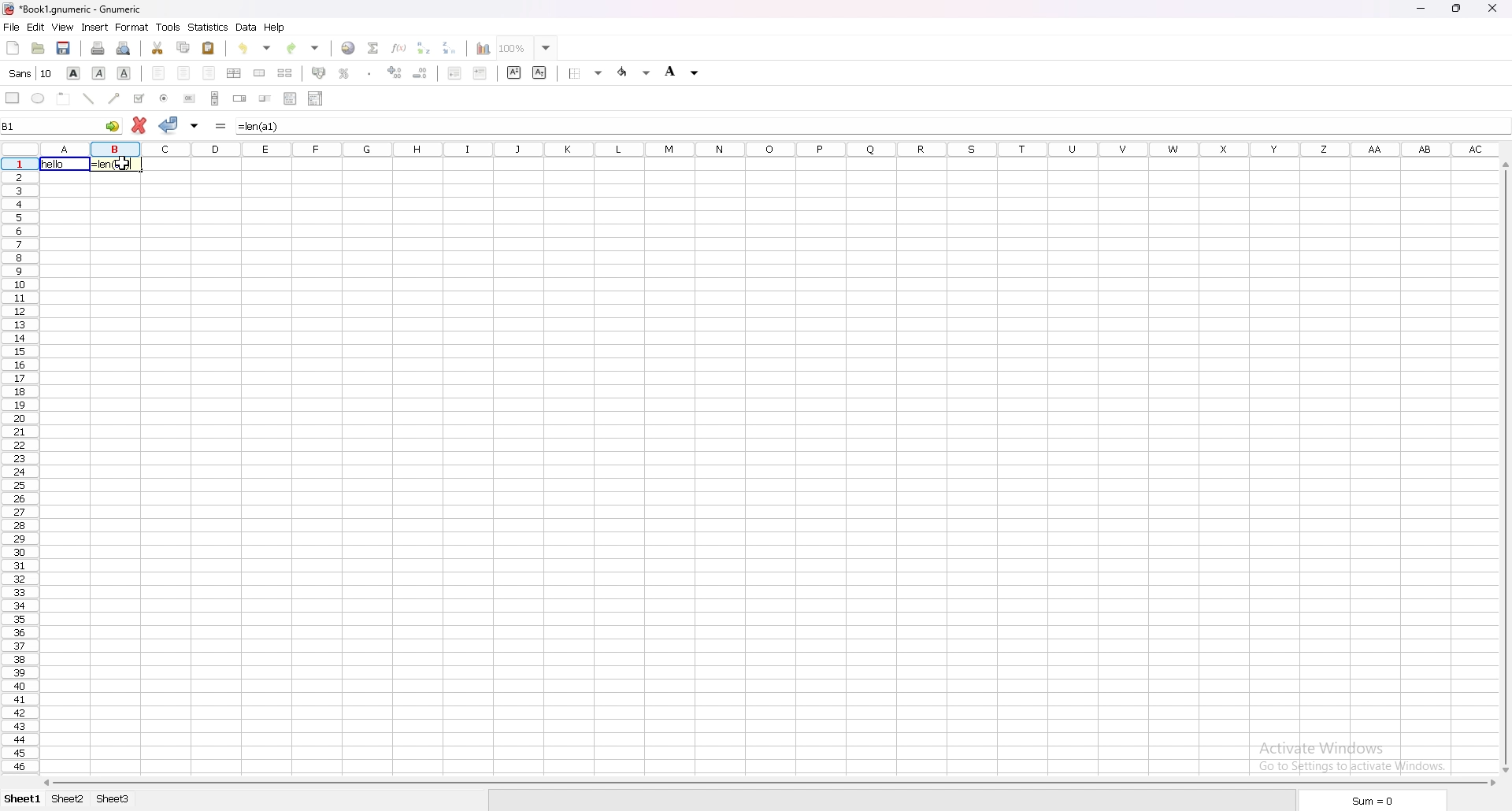  Describe the element at coordinates (370, 72) in the screenshot. I see `thousands separator` at that location.